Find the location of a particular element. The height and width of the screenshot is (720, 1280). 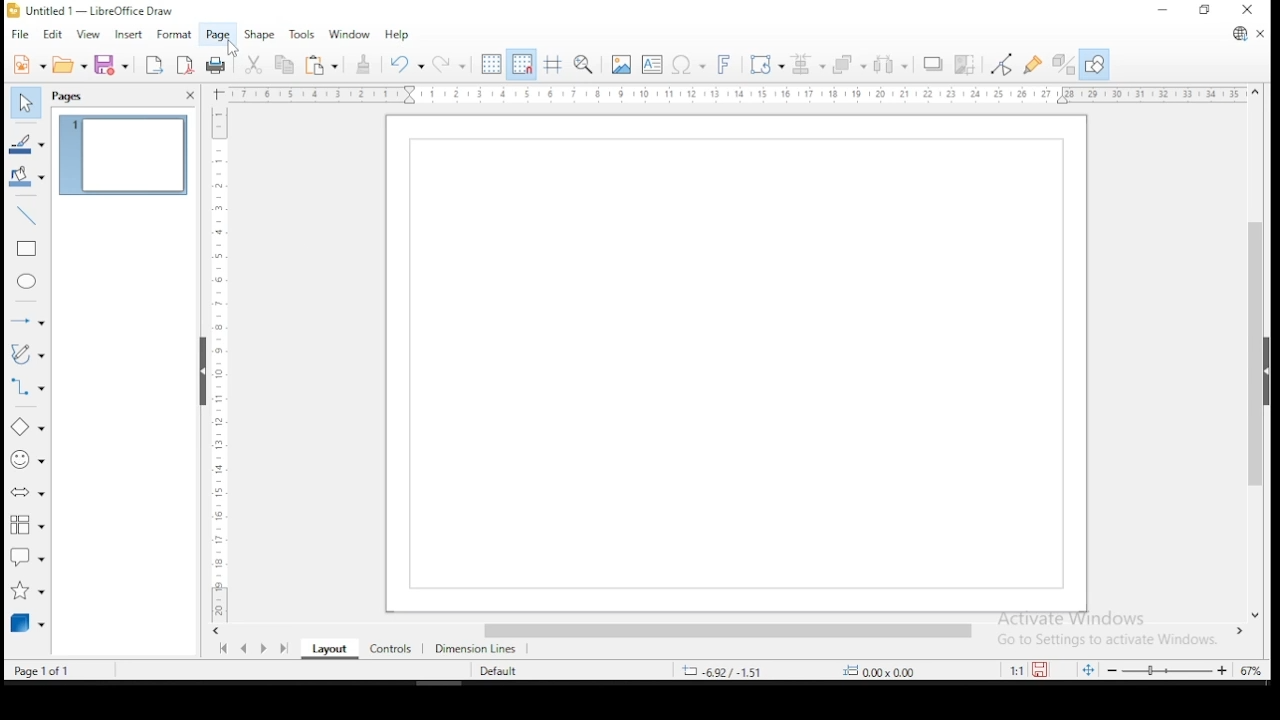

simple shapes is located at coordinates (28, 431).